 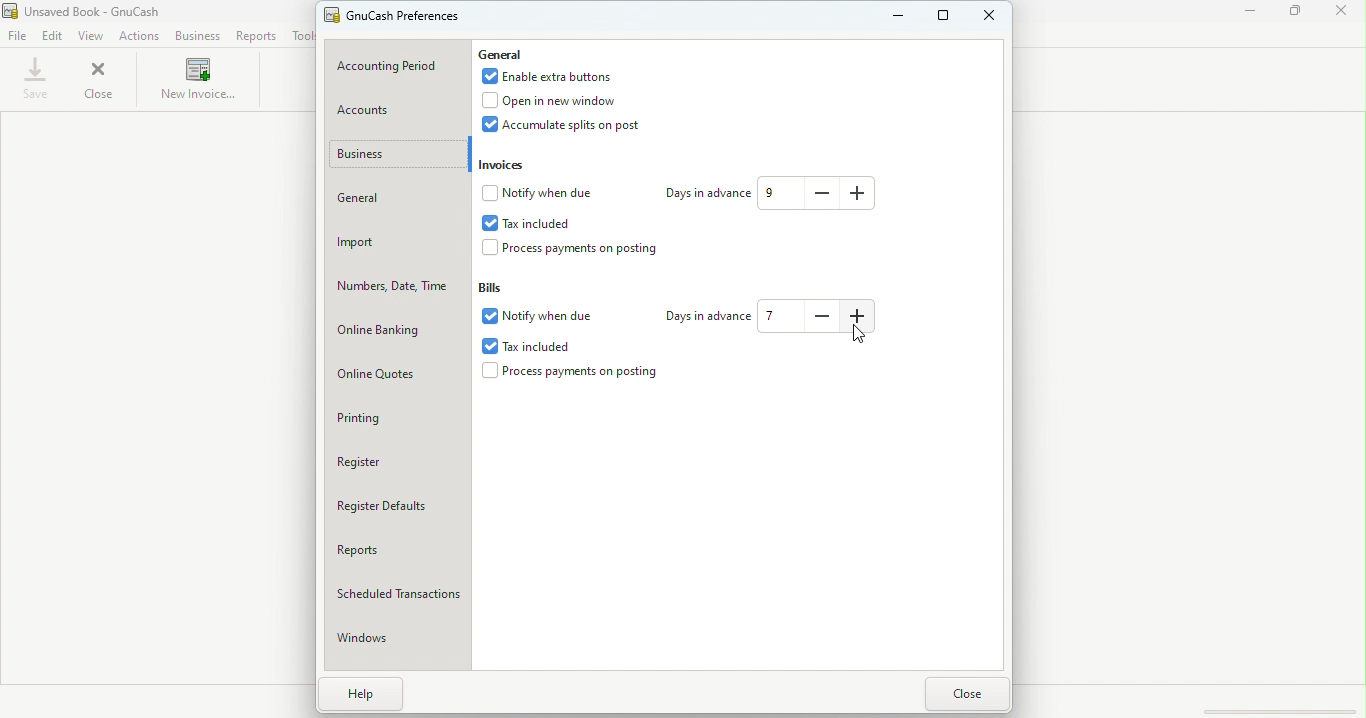 I want to click on Invoices, so click(x=509, y=166).